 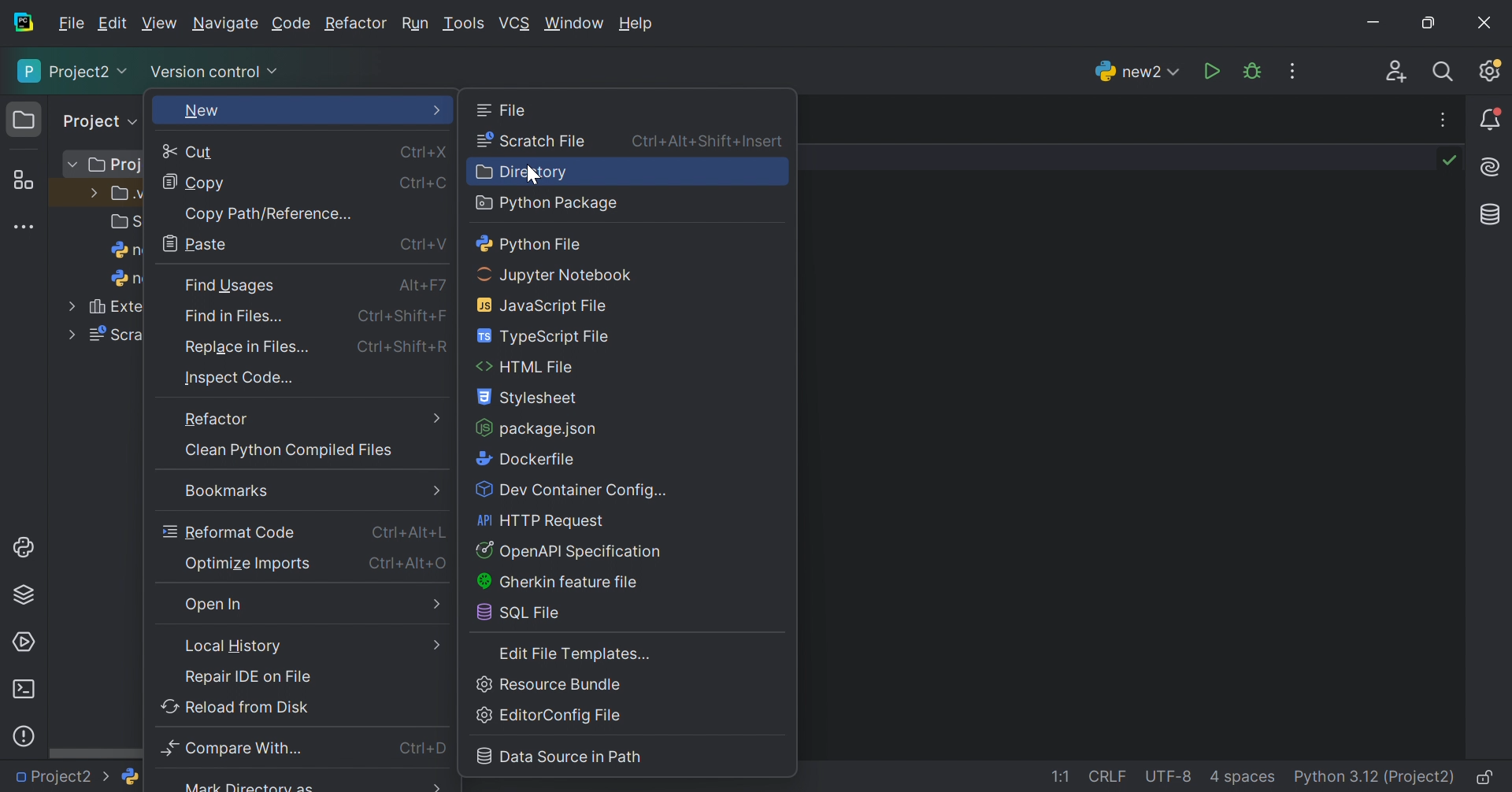 I want to click on Code with me, so click(x=1395, y=72).